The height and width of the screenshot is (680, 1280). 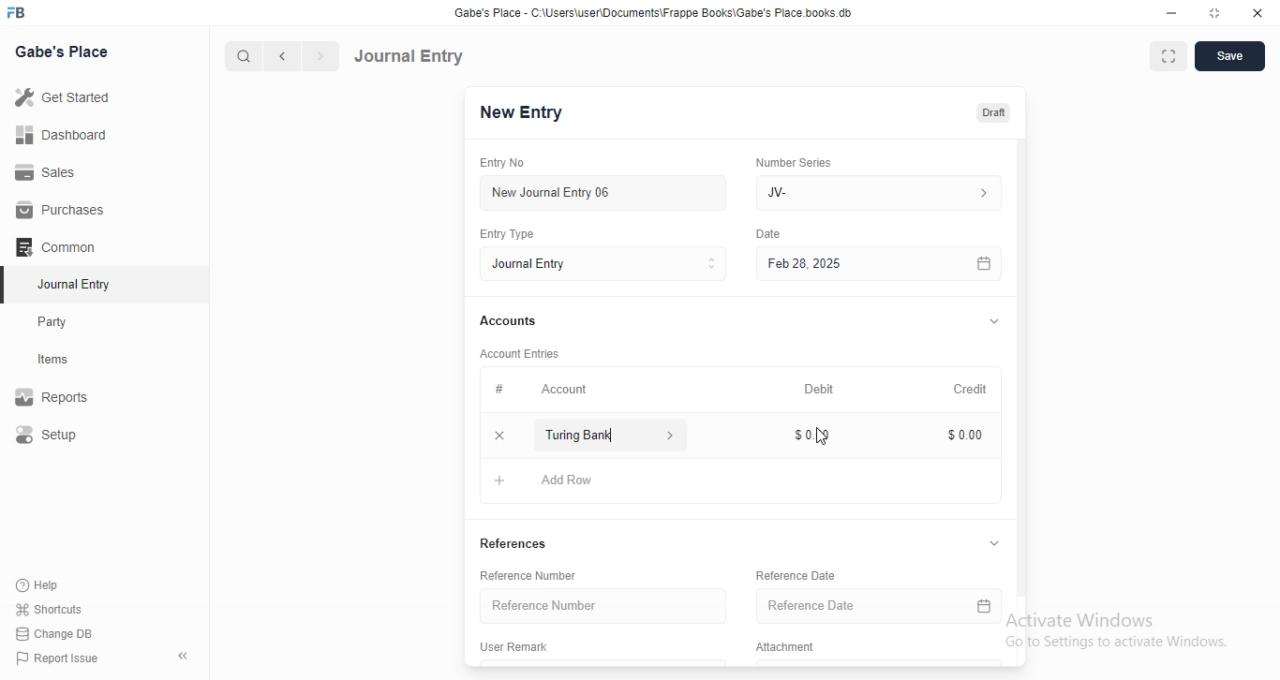 I want to click on collapse, so click(x=993, y=323).